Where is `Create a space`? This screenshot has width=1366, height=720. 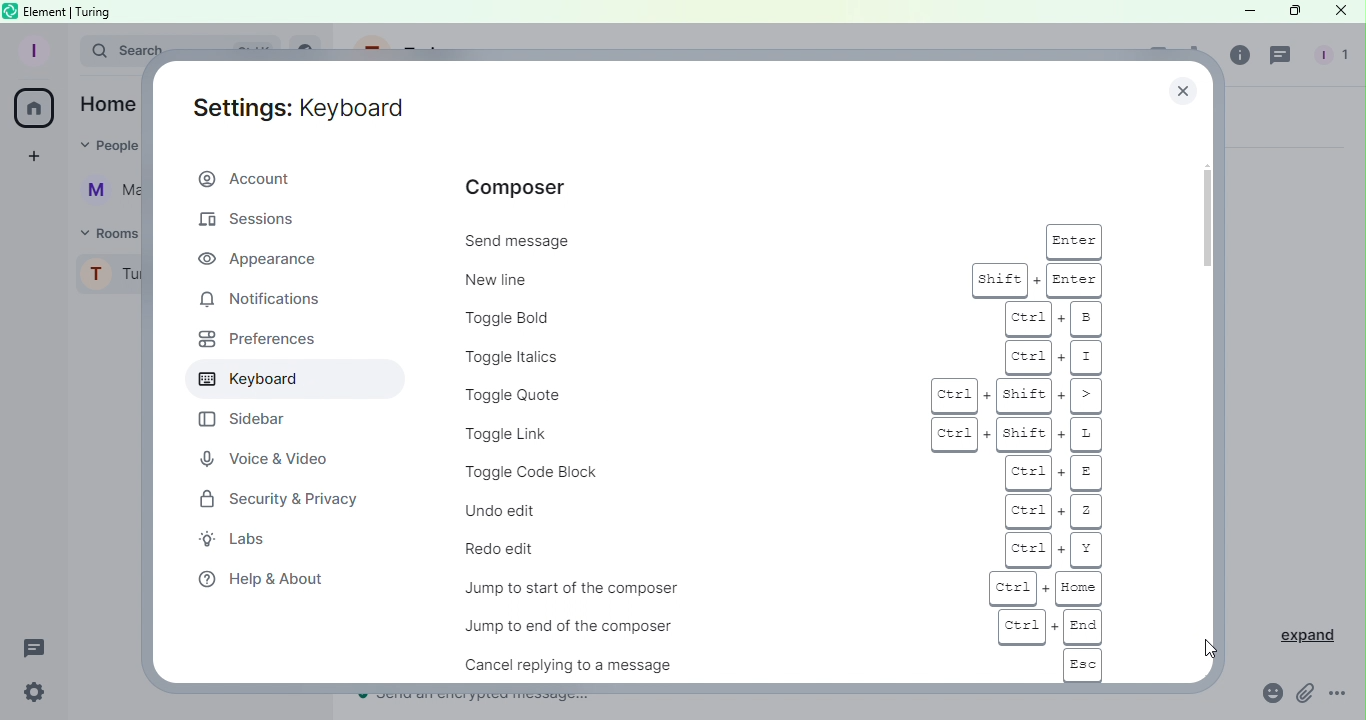 Create a space is located at coordinates (30, 159).